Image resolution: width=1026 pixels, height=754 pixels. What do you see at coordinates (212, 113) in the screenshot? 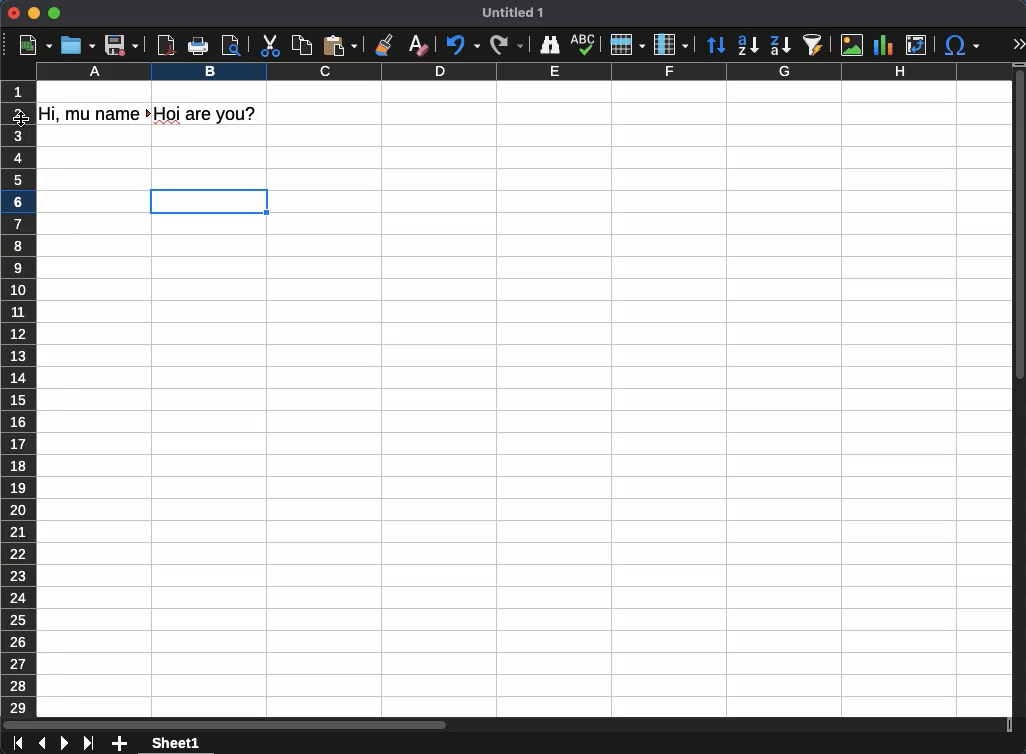
I see `Hoi are you?` at bounding box center [212, 113].